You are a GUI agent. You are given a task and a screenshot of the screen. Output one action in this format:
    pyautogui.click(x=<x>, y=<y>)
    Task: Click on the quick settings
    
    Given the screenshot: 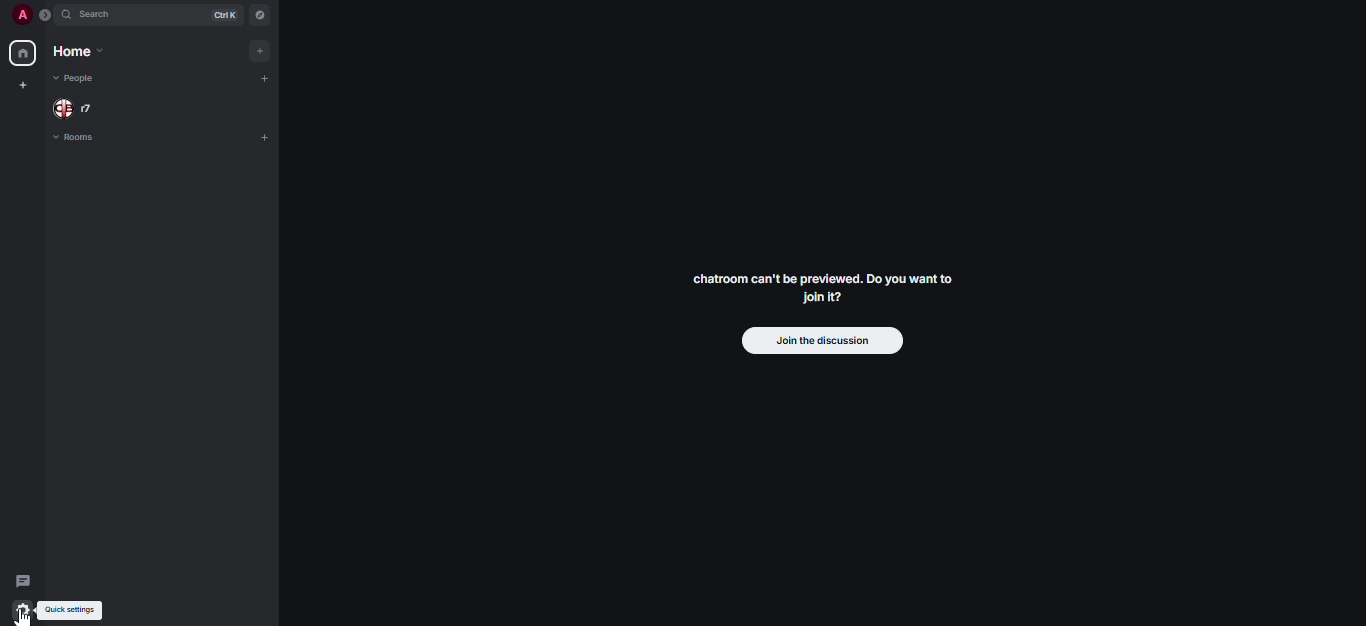 What is the action you would take?
    pyautogui.click(x=20, y=610)
    